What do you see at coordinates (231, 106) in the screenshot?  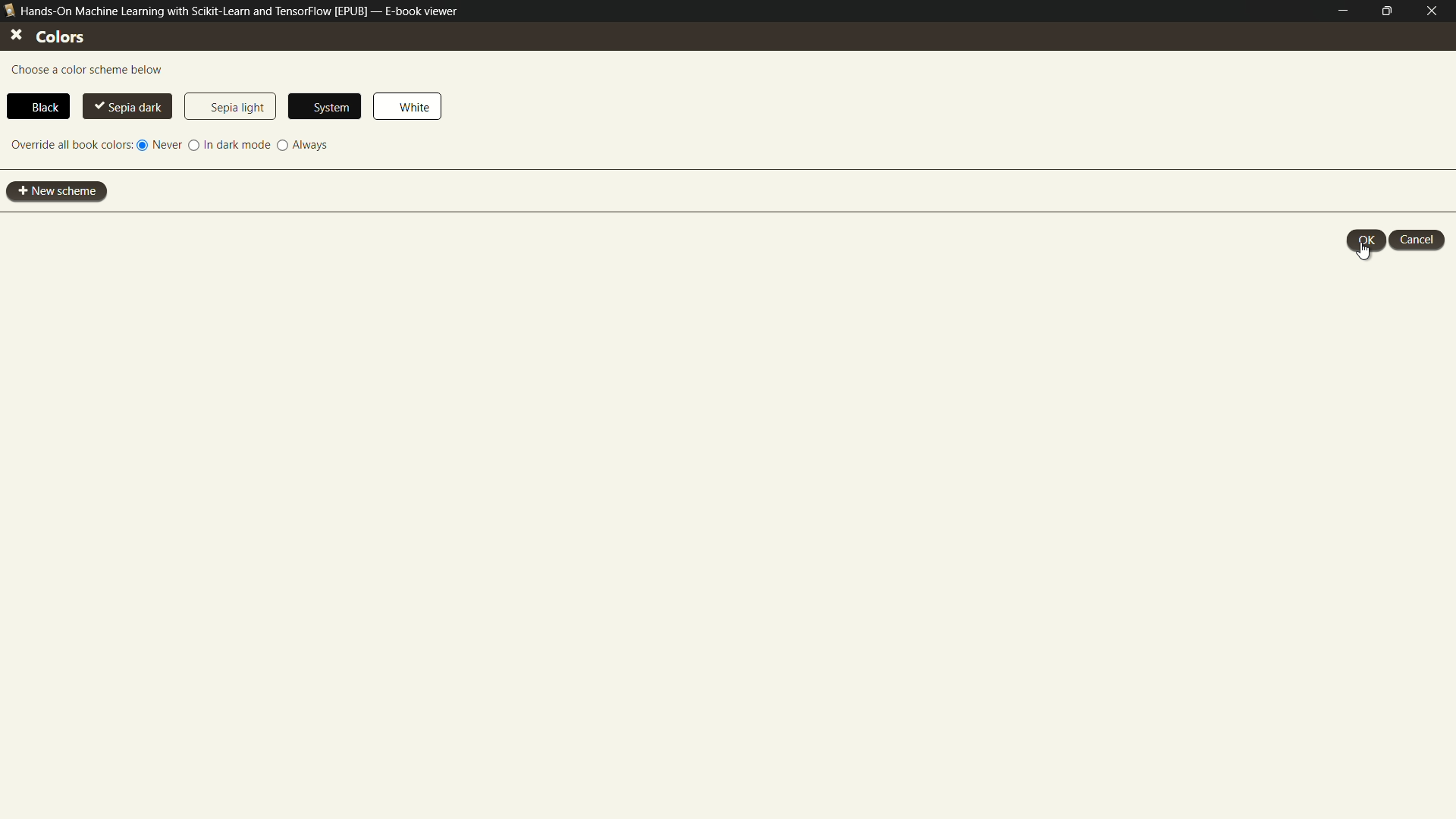 I see `sepia light` at bounding box center [231, 106].